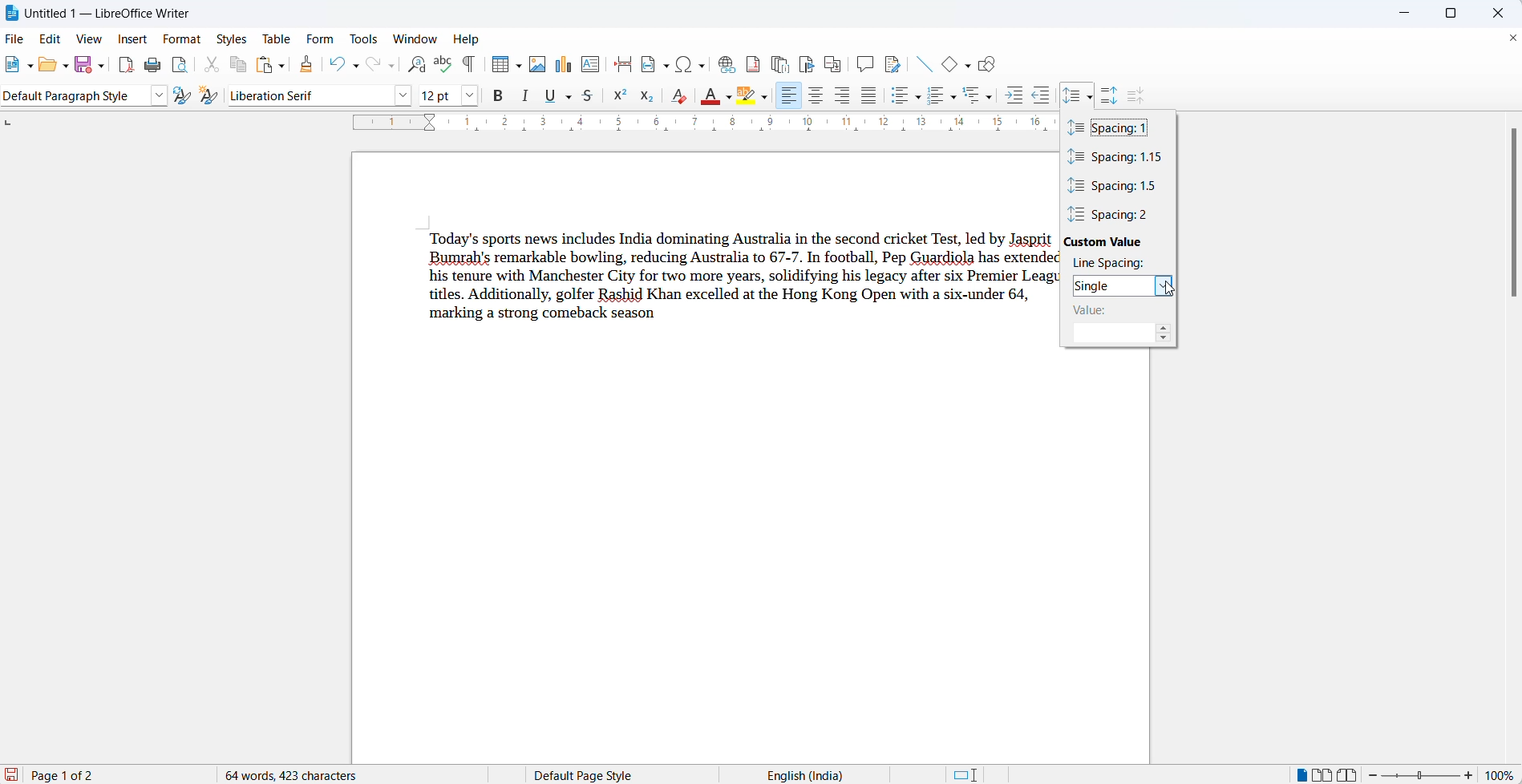  Describe the element at coordinates (14, 38) in the screenshot. I see `file` at that location.